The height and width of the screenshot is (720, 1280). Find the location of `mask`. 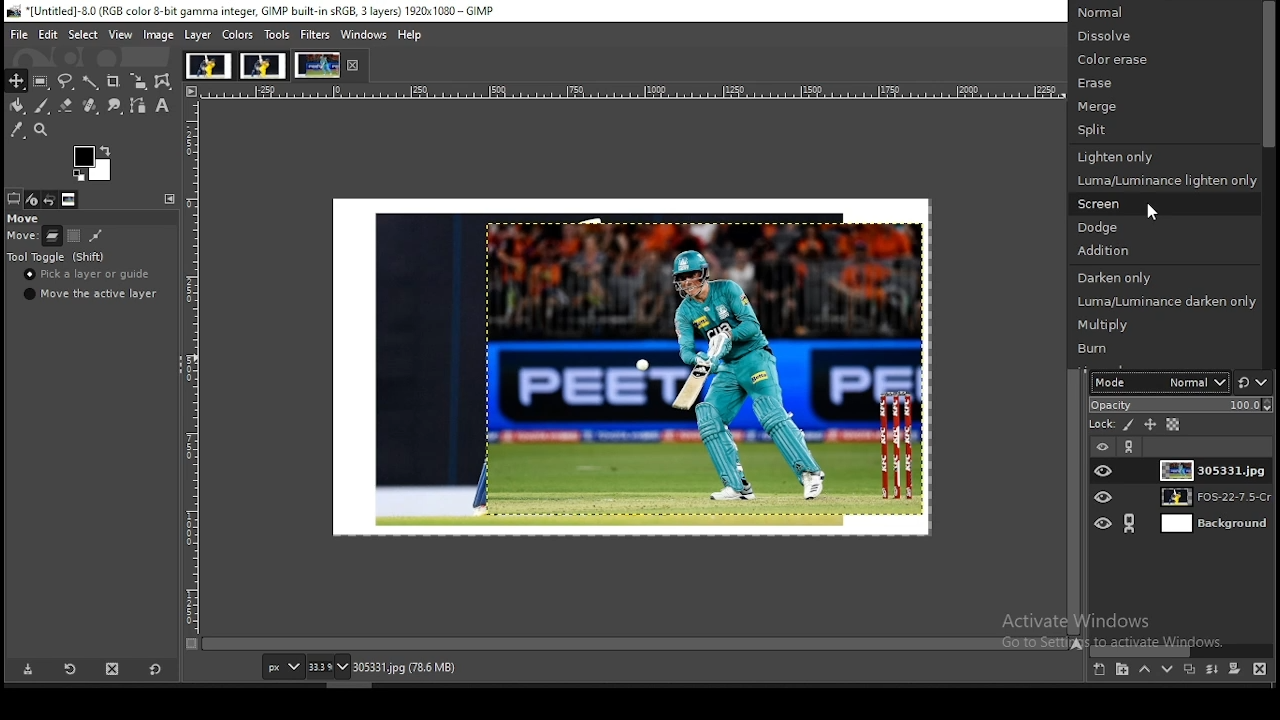

mask is located at coordinates (1236, 669).